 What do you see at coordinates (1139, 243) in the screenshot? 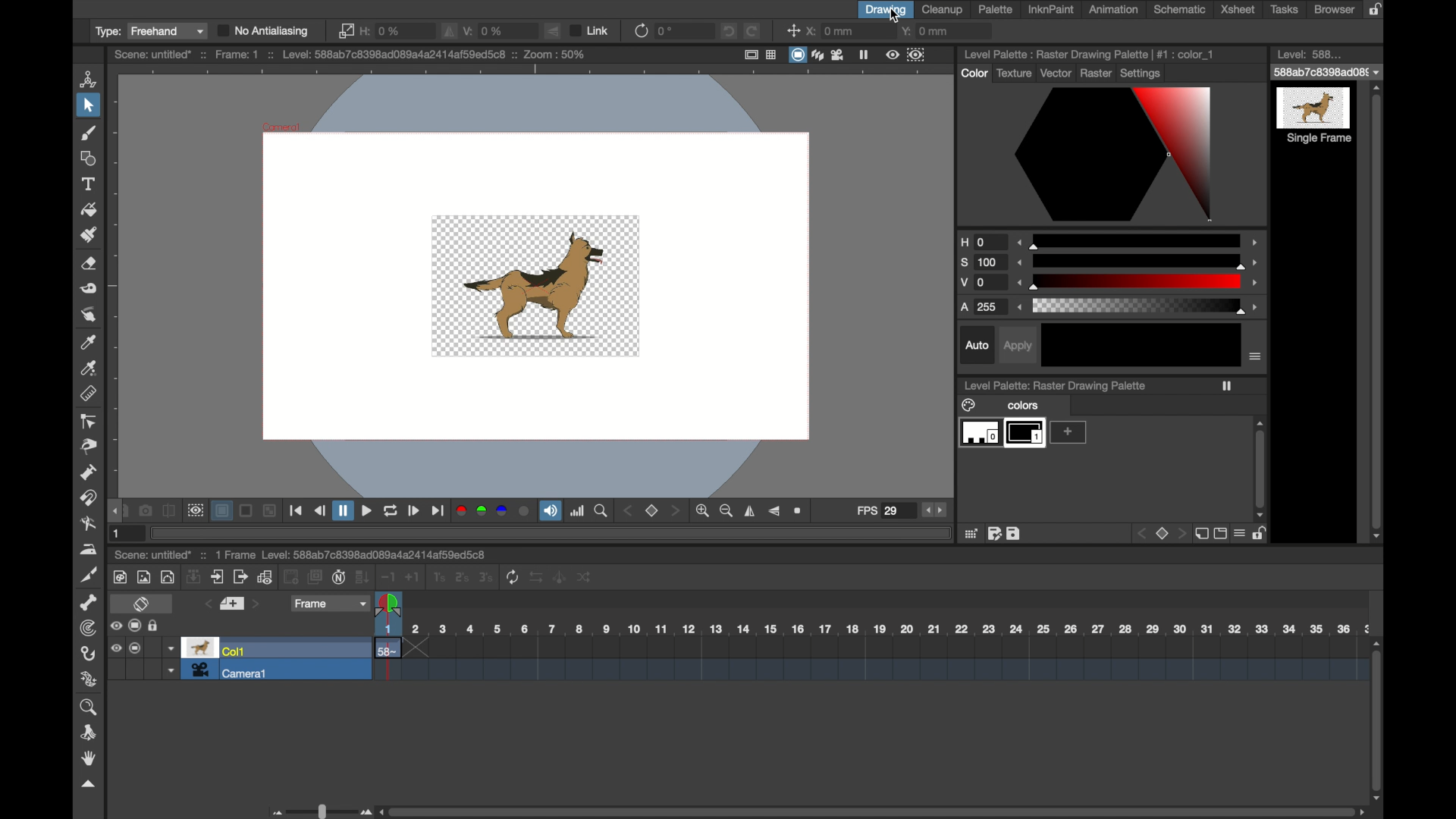
I see `Slider` at bounding box center [1139, 243].